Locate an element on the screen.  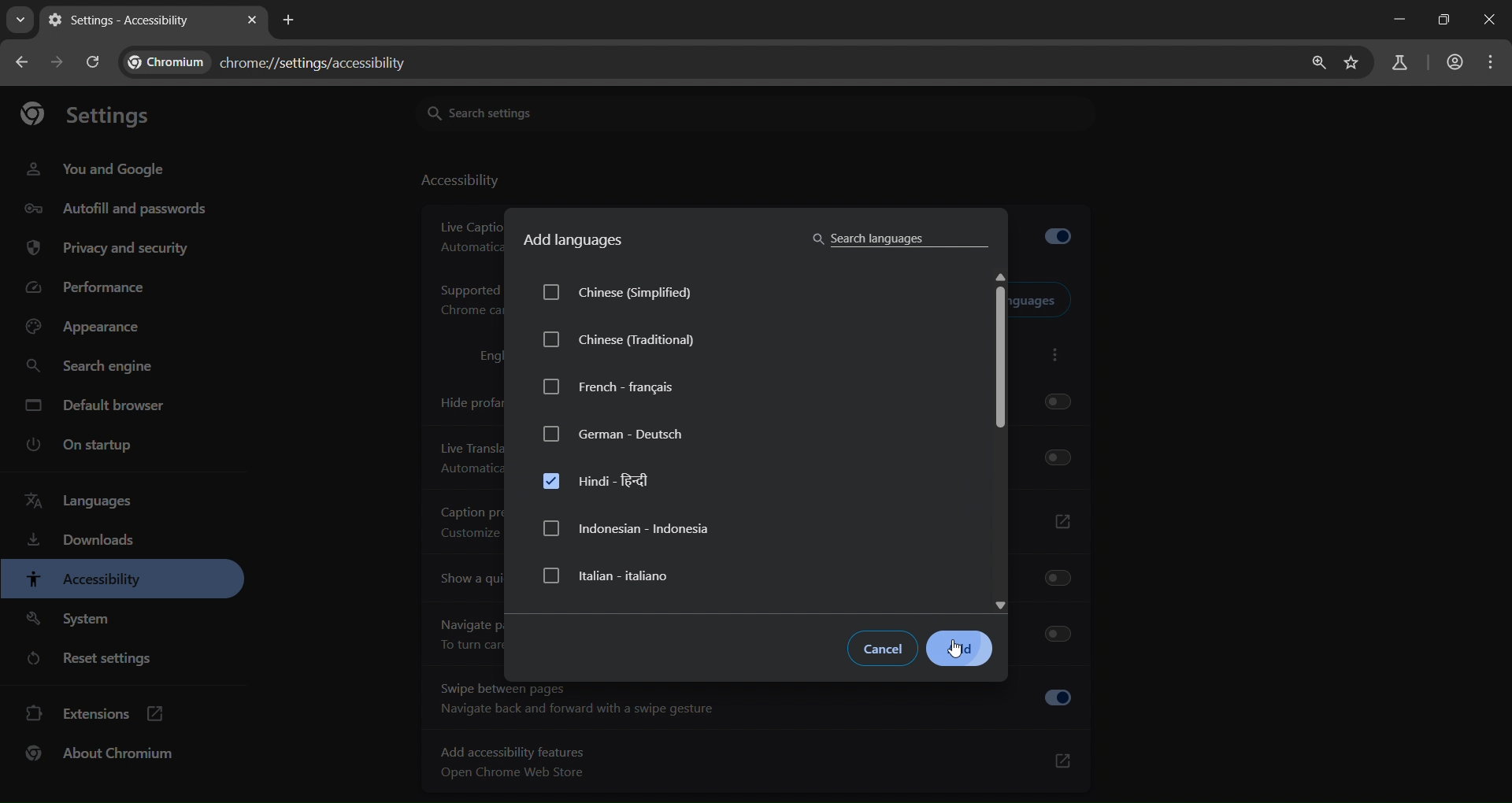
search tabs is located at coordinates (21, 18).